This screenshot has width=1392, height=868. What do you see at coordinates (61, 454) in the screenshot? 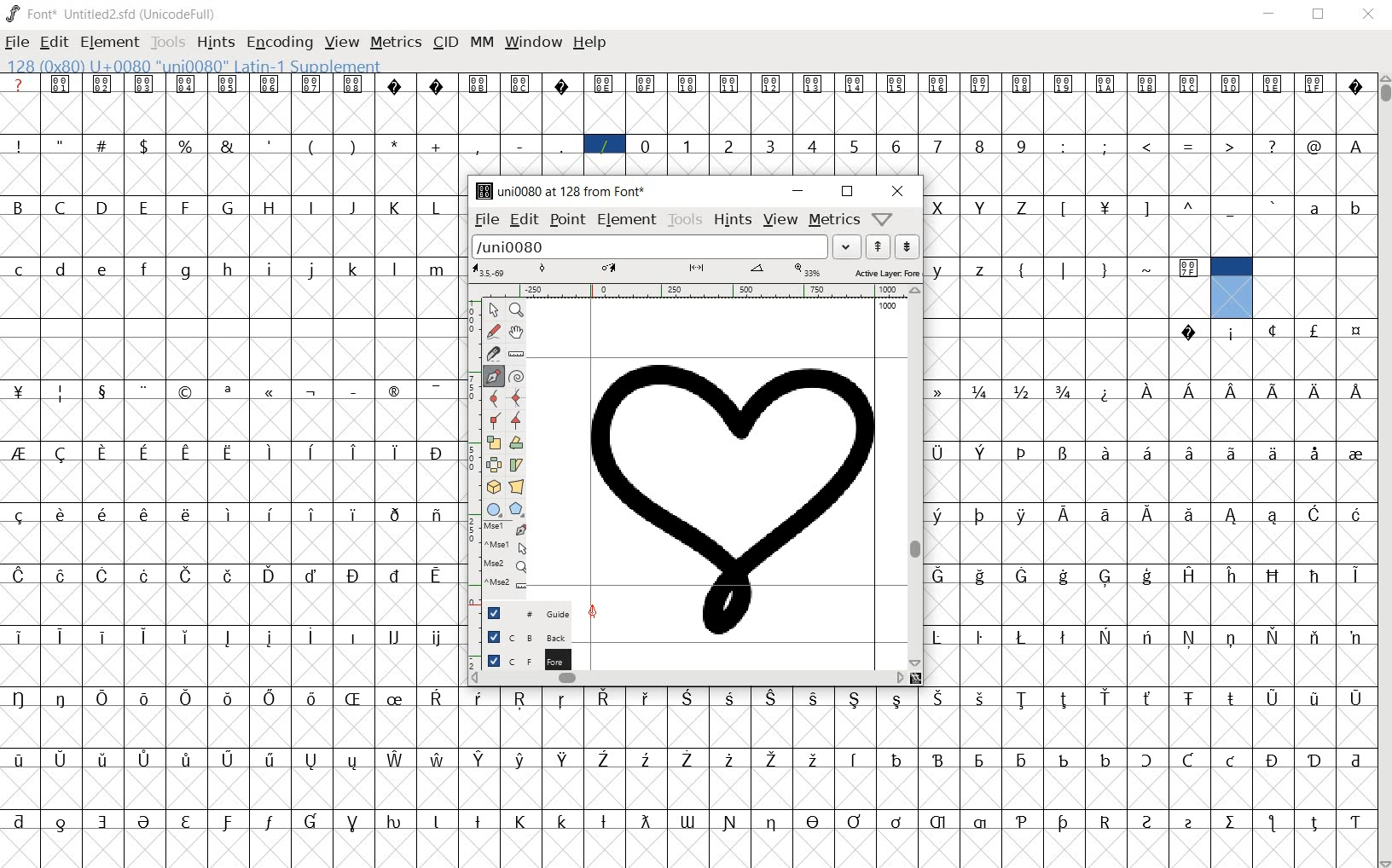
I see `glyph` at bounding box center [61, 454].